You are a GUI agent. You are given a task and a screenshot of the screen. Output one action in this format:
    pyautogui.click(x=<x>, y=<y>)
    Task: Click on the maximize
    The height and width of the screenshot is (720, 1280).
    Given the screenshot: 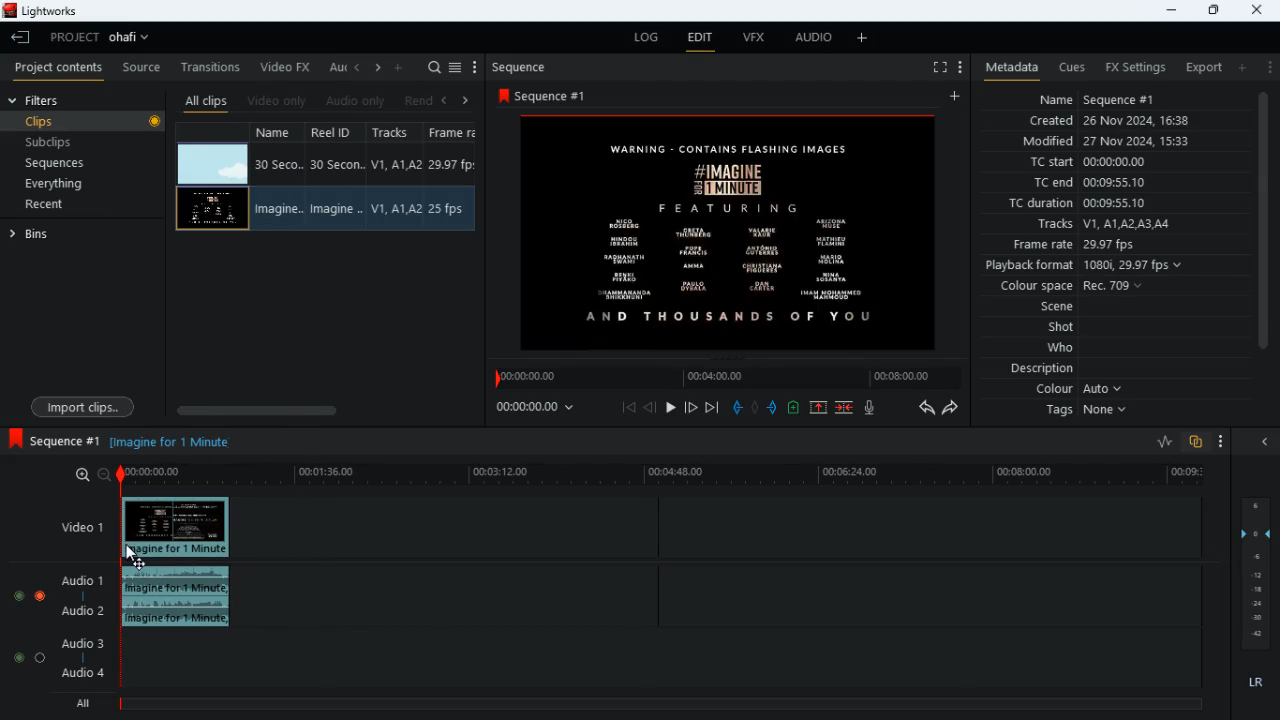 What is the action you would take?
    pyautogui.click(x=1213, y=10)
    